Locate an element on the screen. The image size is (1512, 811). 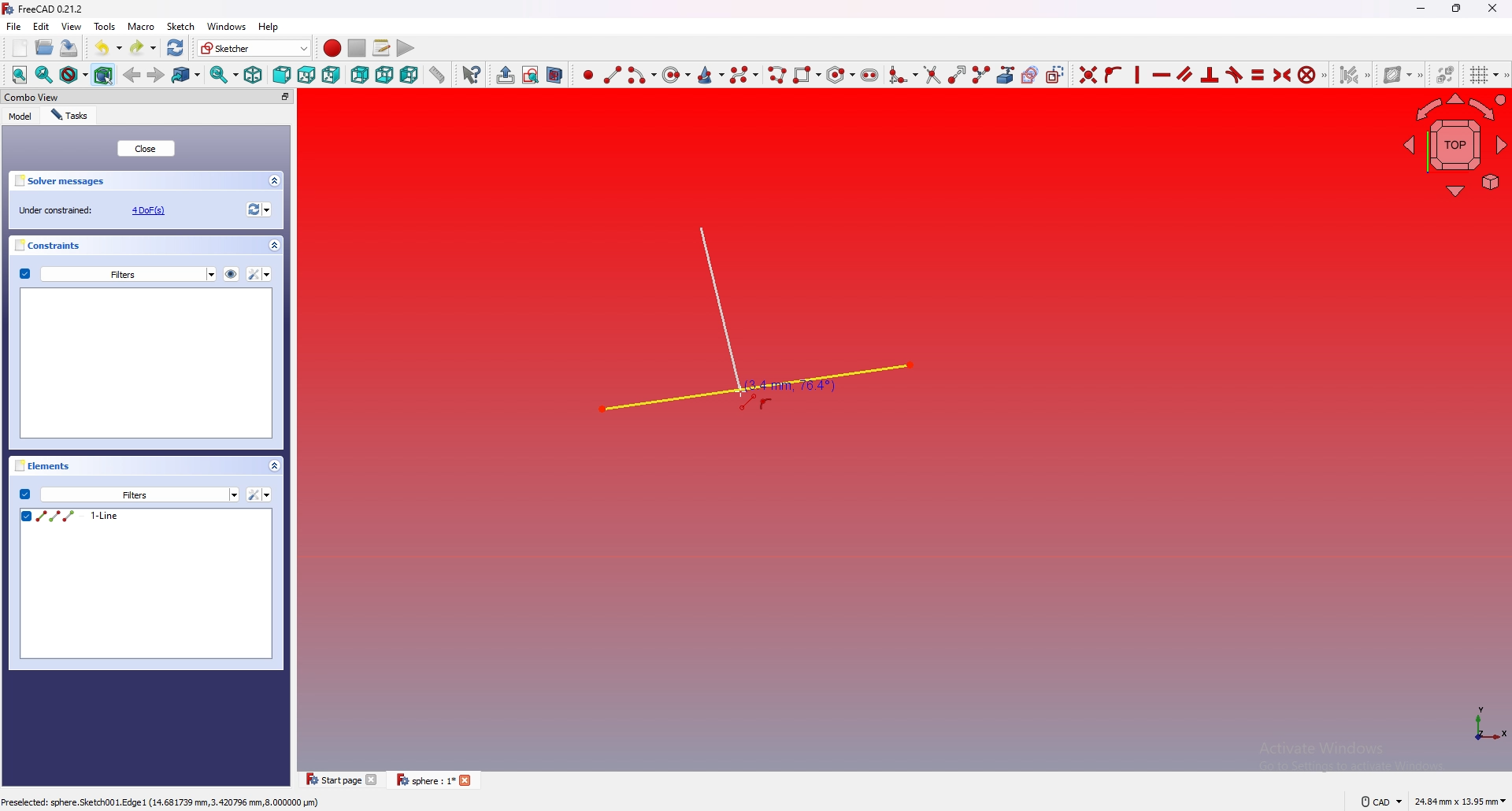
Constrain coincident is located at coordinates (1085, 74).